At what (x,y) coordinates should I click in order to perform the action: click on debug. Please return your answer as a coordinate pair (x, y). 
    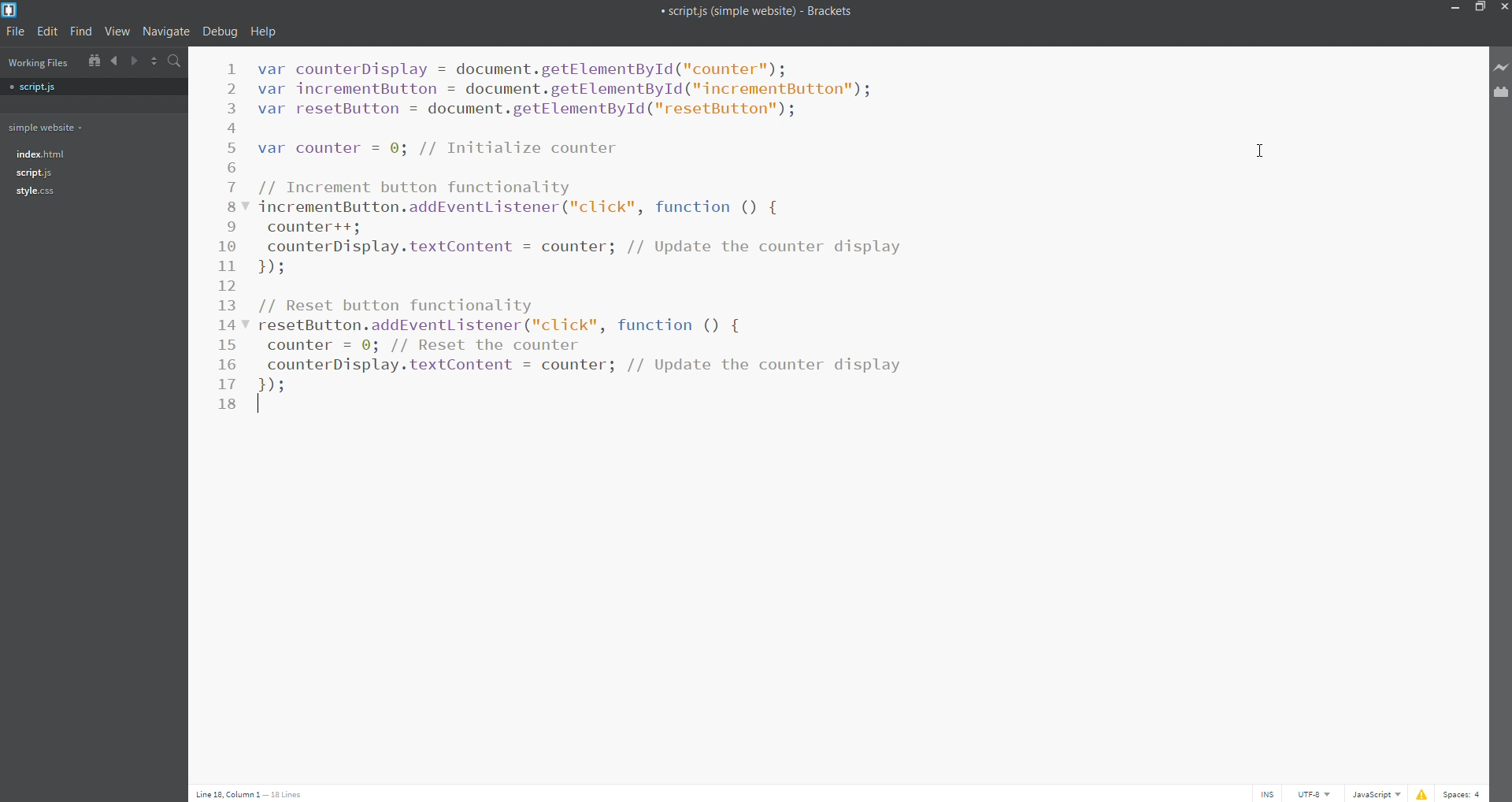
    Looking at the image, I should click on (221, 31).